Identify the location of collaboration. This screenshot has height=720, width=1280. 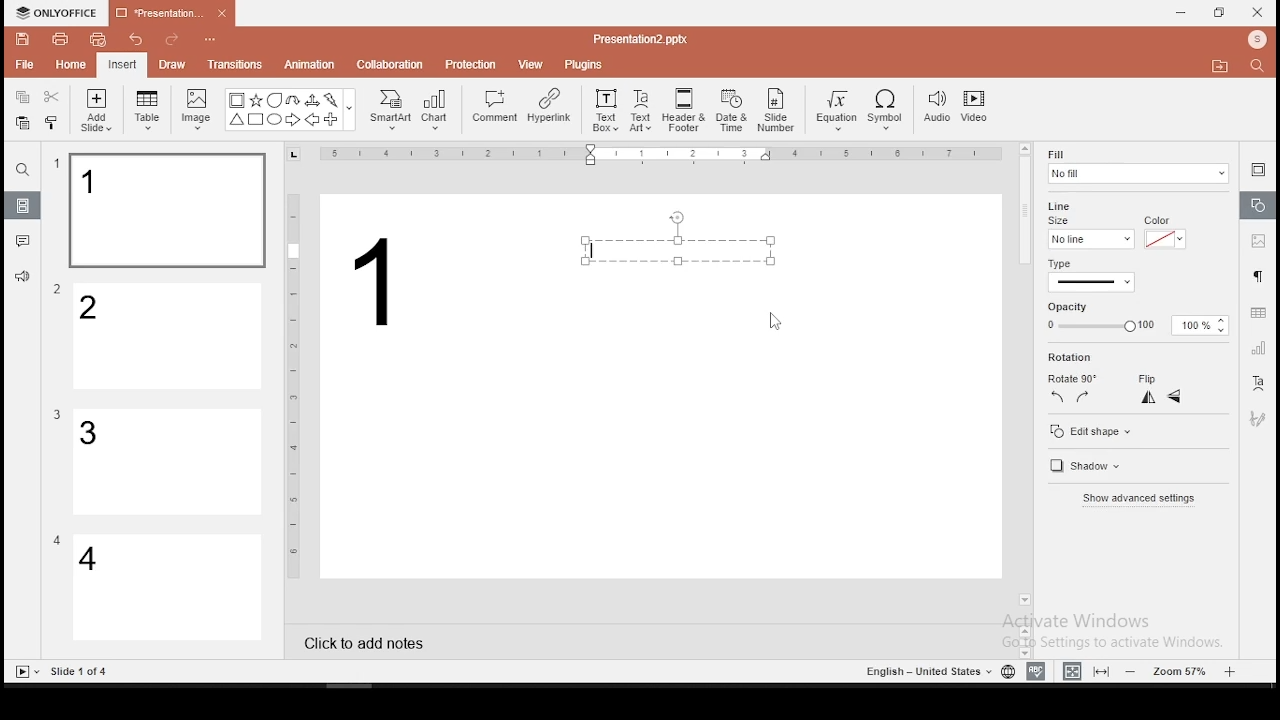
(392, 63).